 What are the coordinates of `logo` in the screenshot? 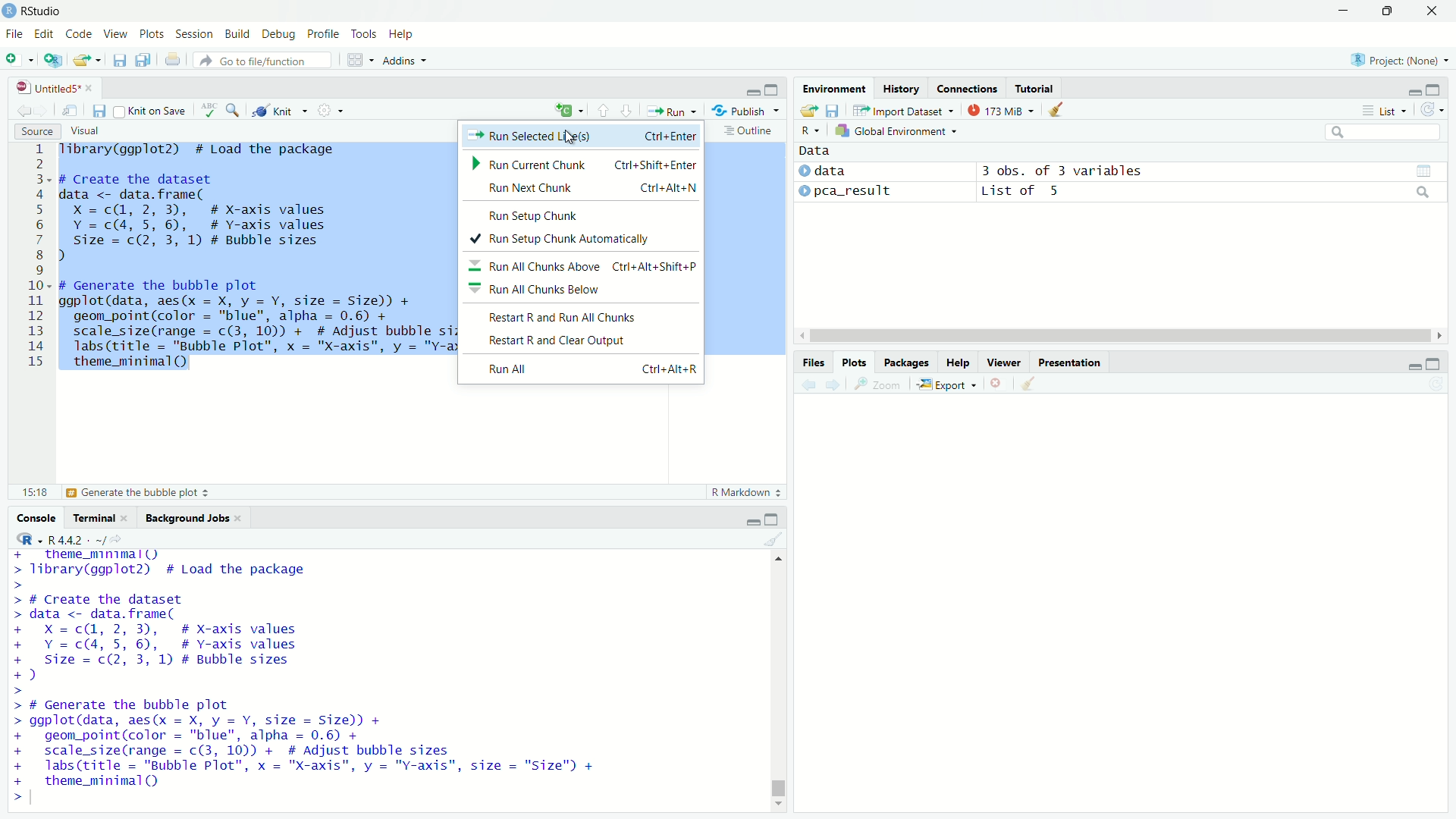 It's located at (10, 11).